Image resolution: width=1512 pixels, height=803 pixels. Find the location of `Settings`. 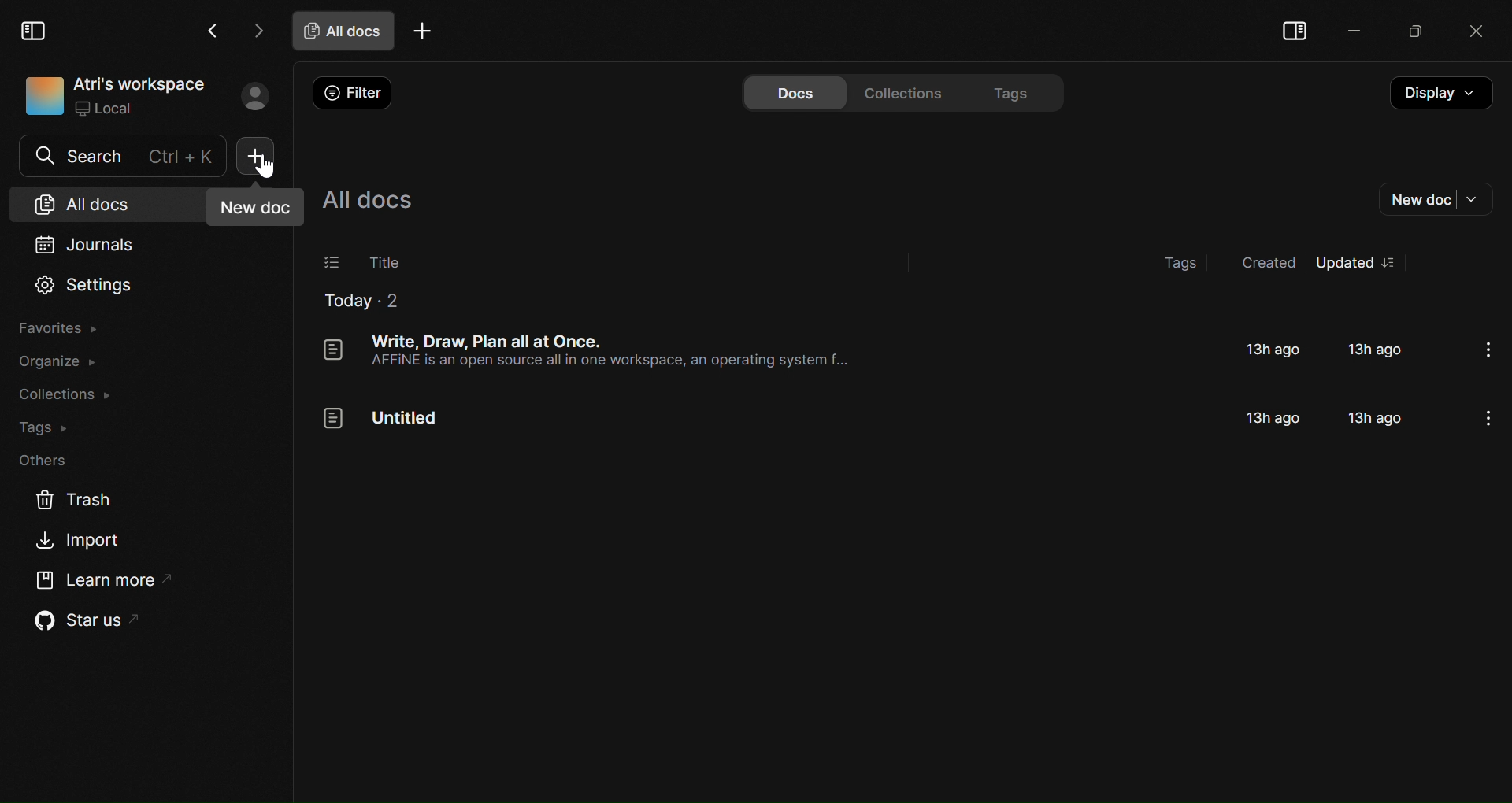

Settings is located at coordinates (86, 285).